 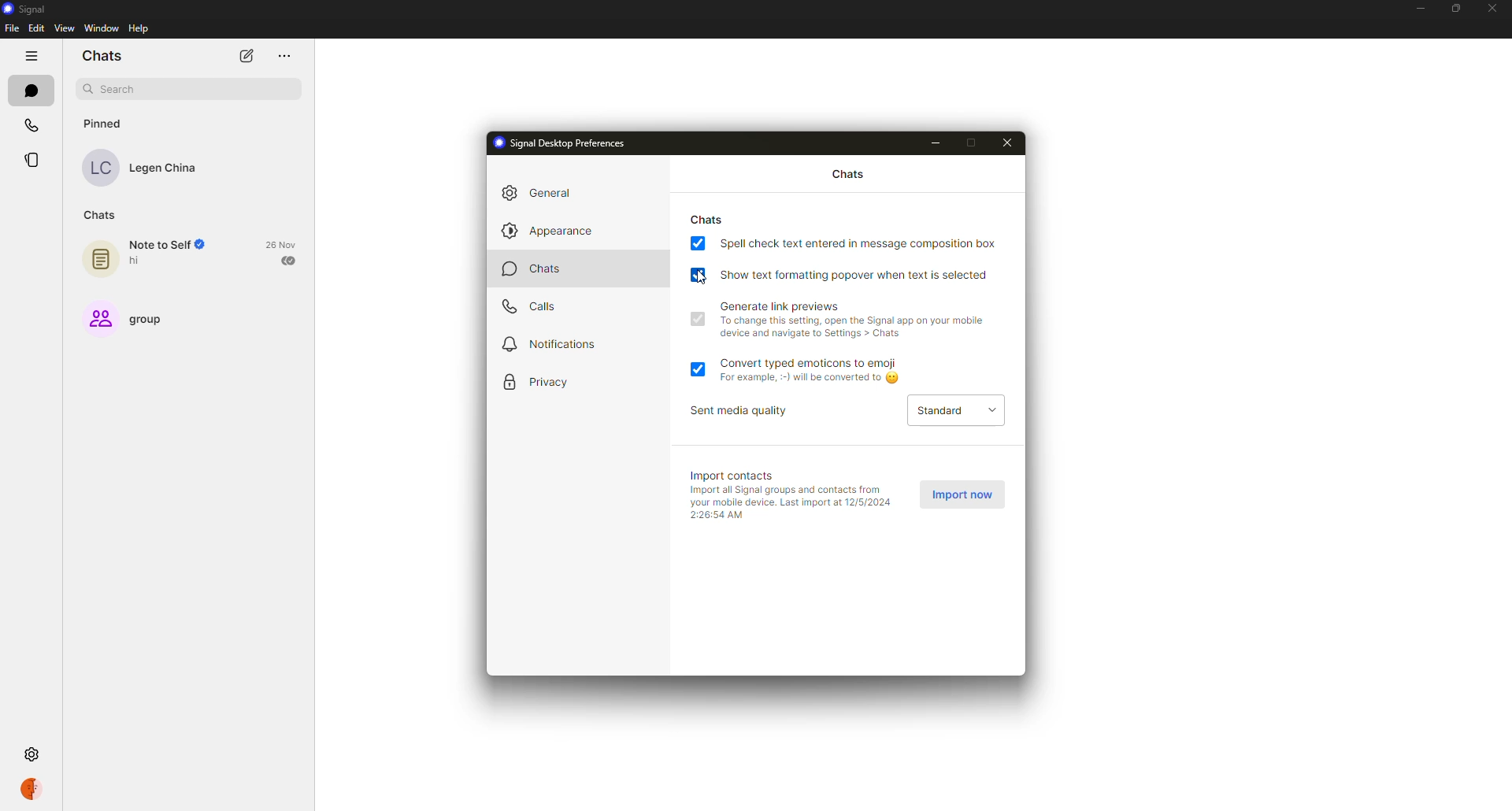 I want to click on appearance, so click(x=547, y=231).